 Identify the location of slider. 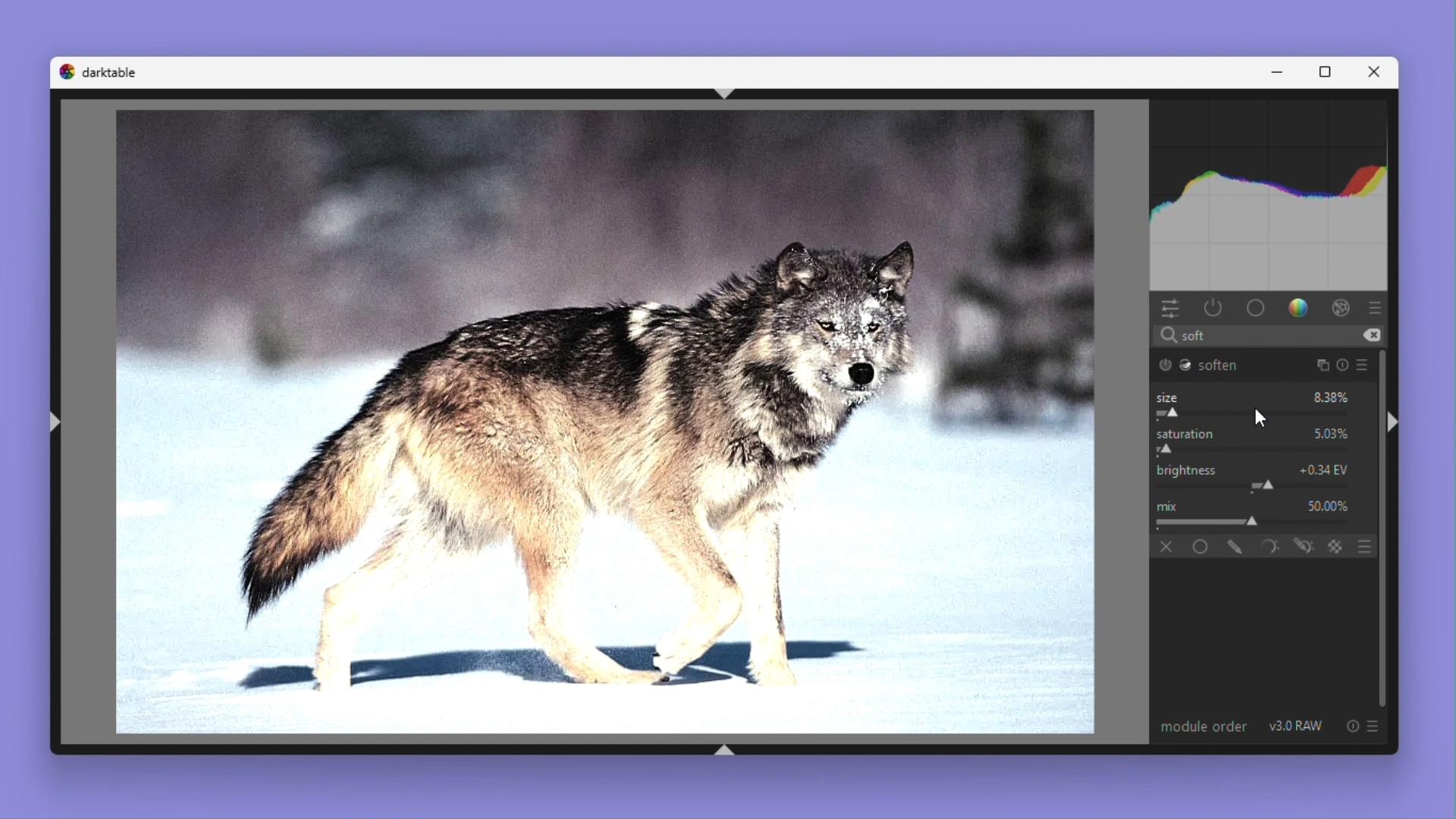
(1254, 522).